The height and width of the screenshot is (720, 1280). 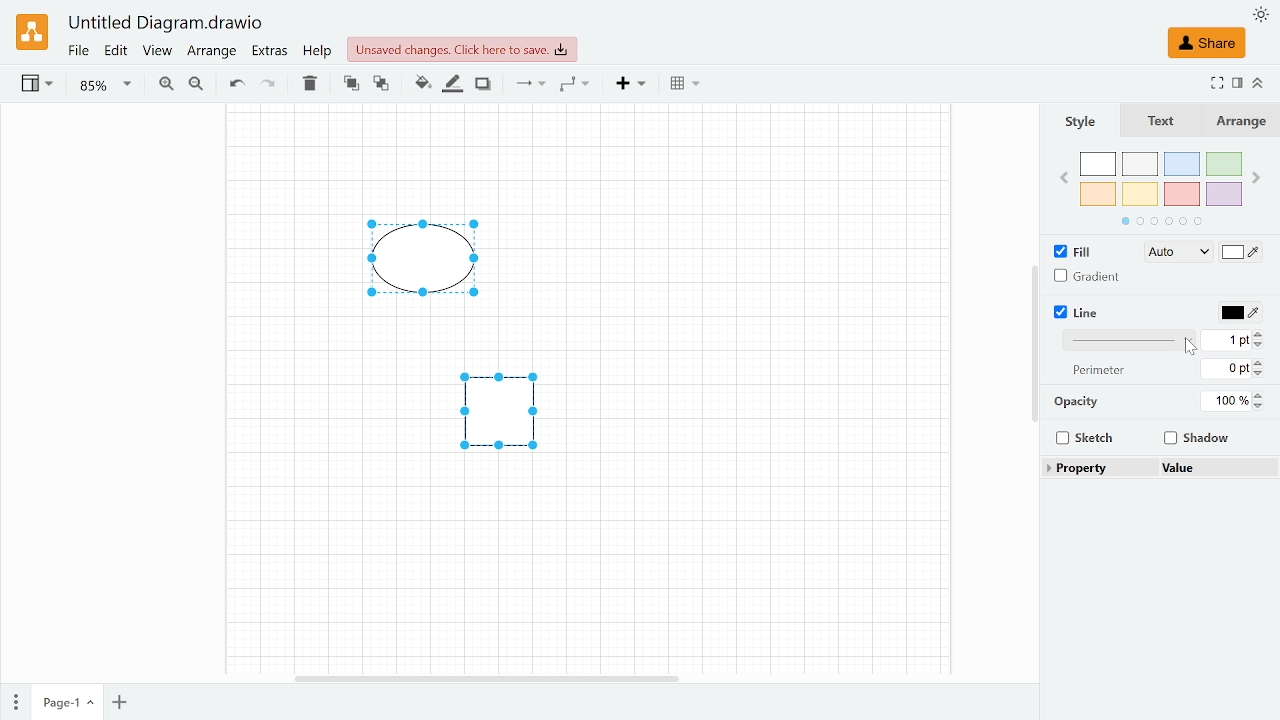 What do you see at coordinates (1130, 342) in the screenshot?
I see `Line style` at bounding box center [1130, 342].